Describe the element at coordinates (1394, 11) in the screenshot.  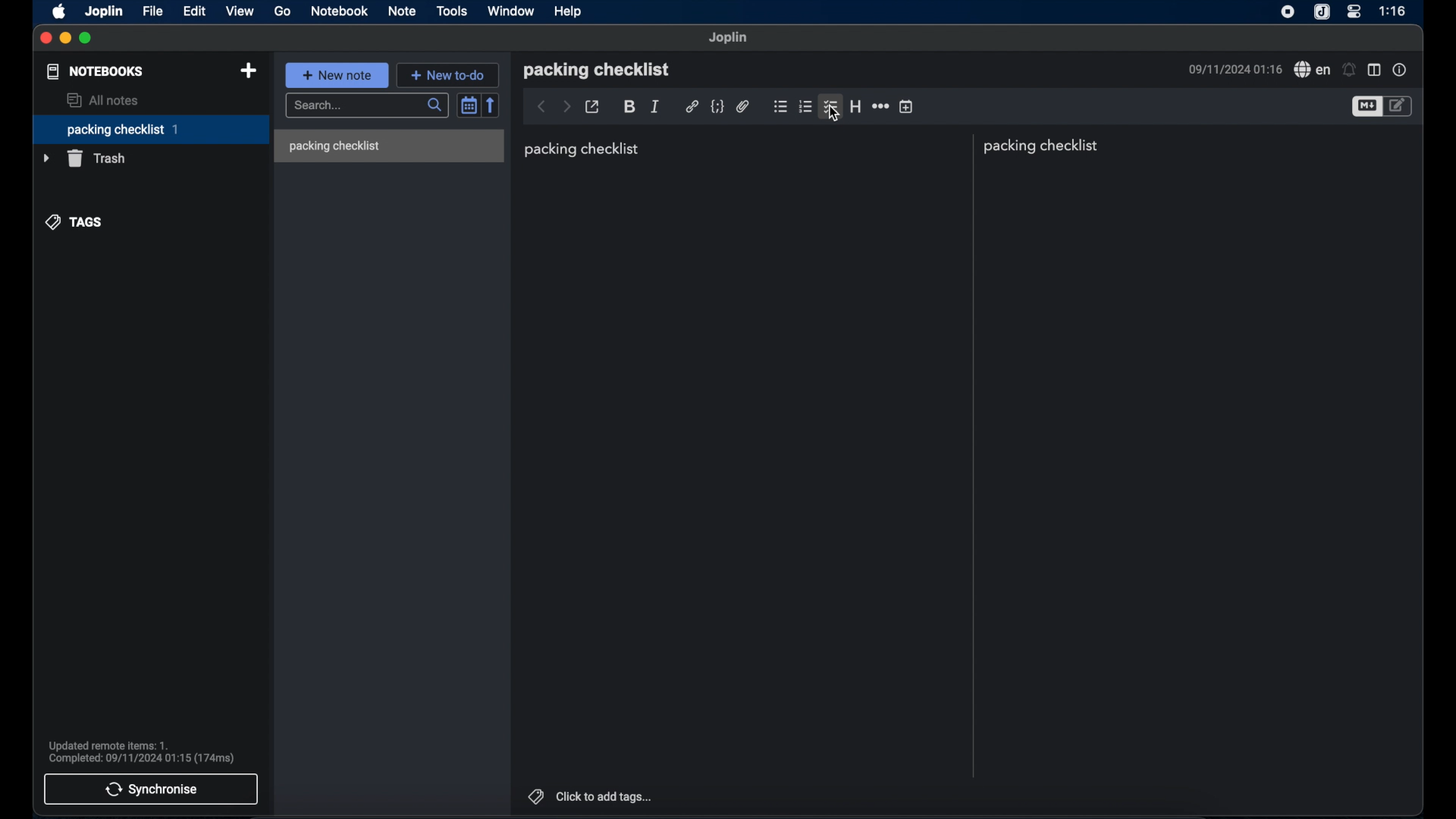
I see `1:16` at that location.